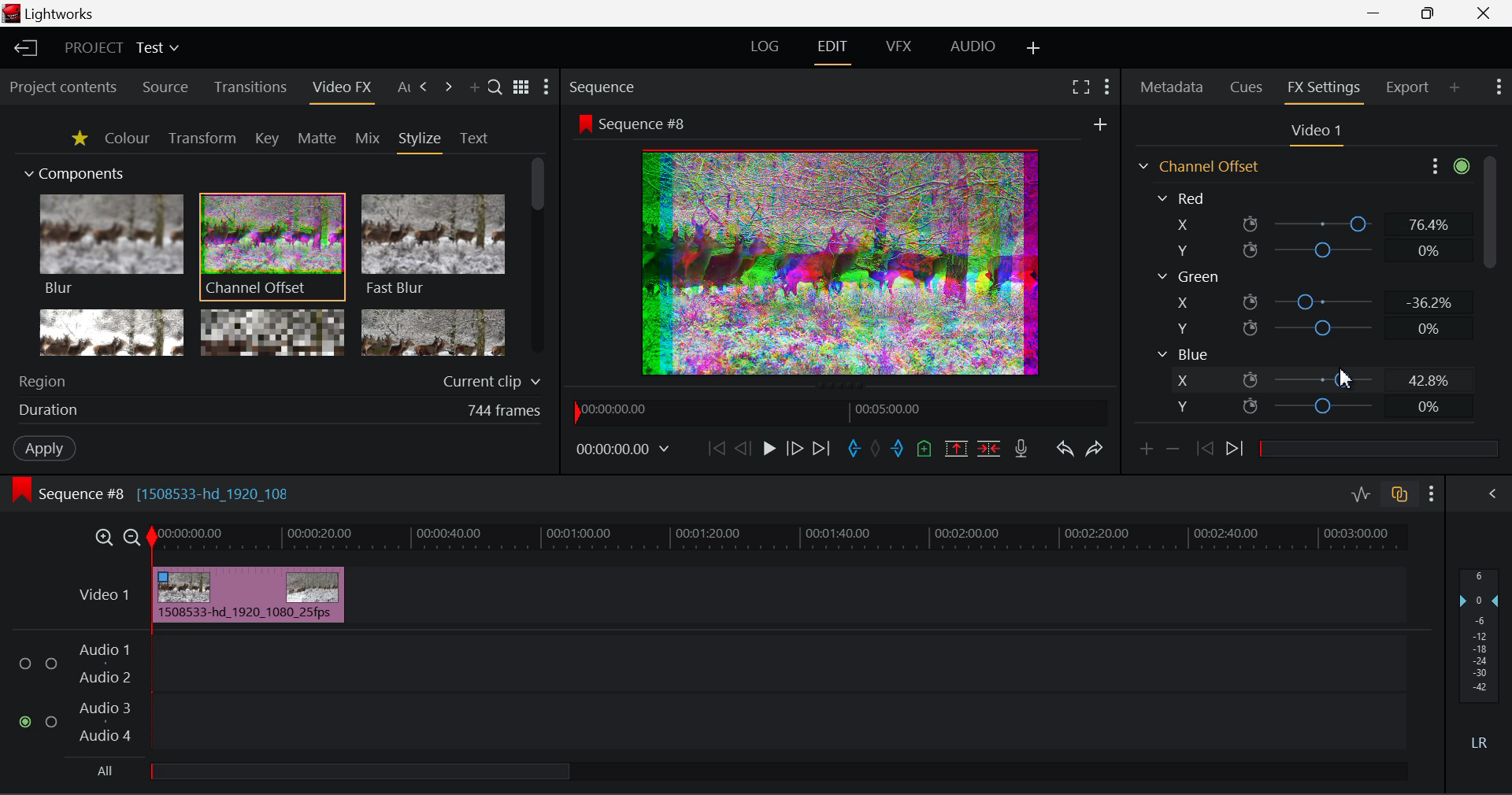 This screenshot has height=795, width=1512. Describe the element at coordinates (1145, 453) in the screenshot. I see `Add keyframe` at that location.